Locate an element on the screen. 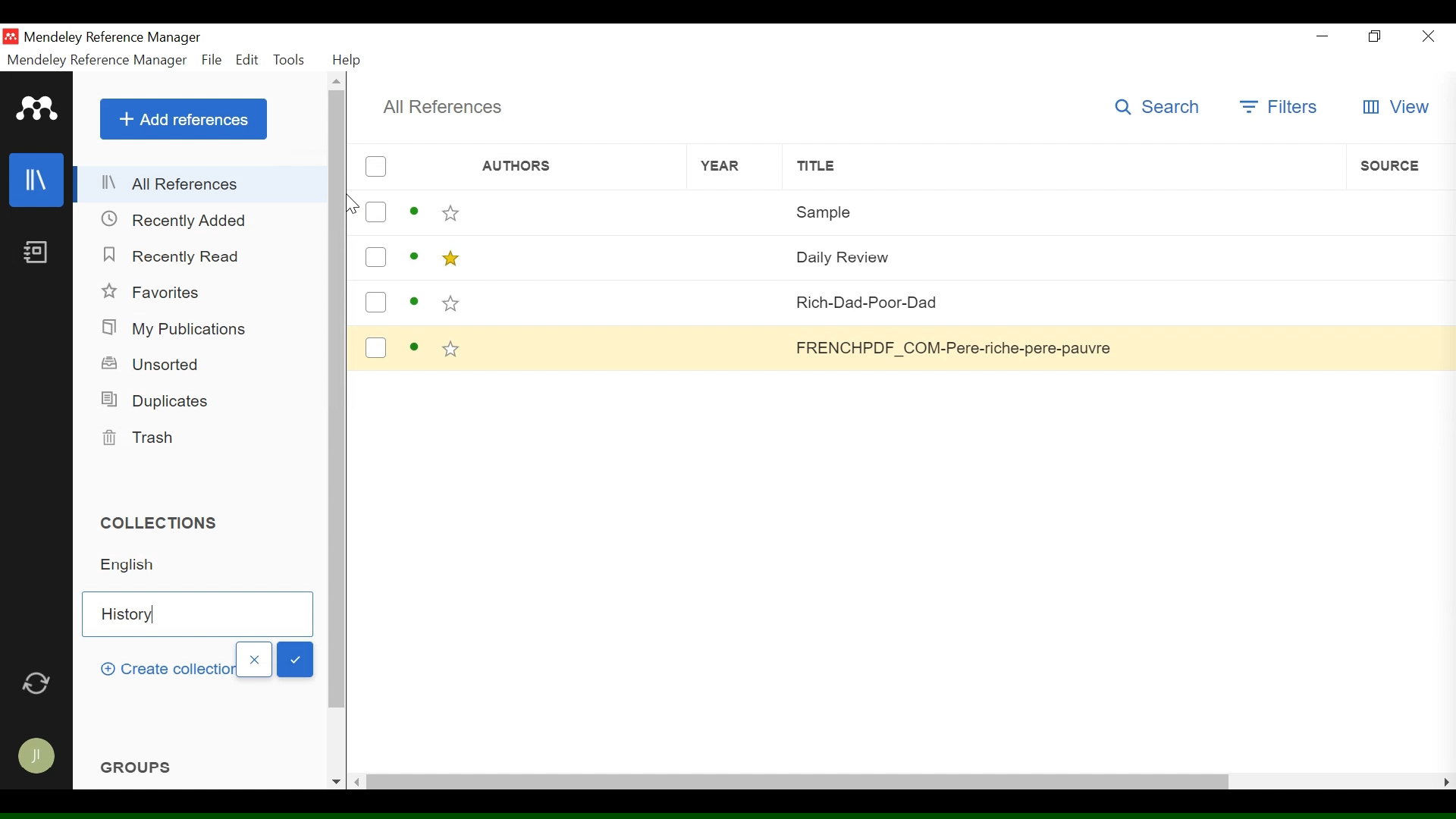 Image resolution: width=1456 pixels, height=819 pixels. minimize is located at coordinates (1326, 36).